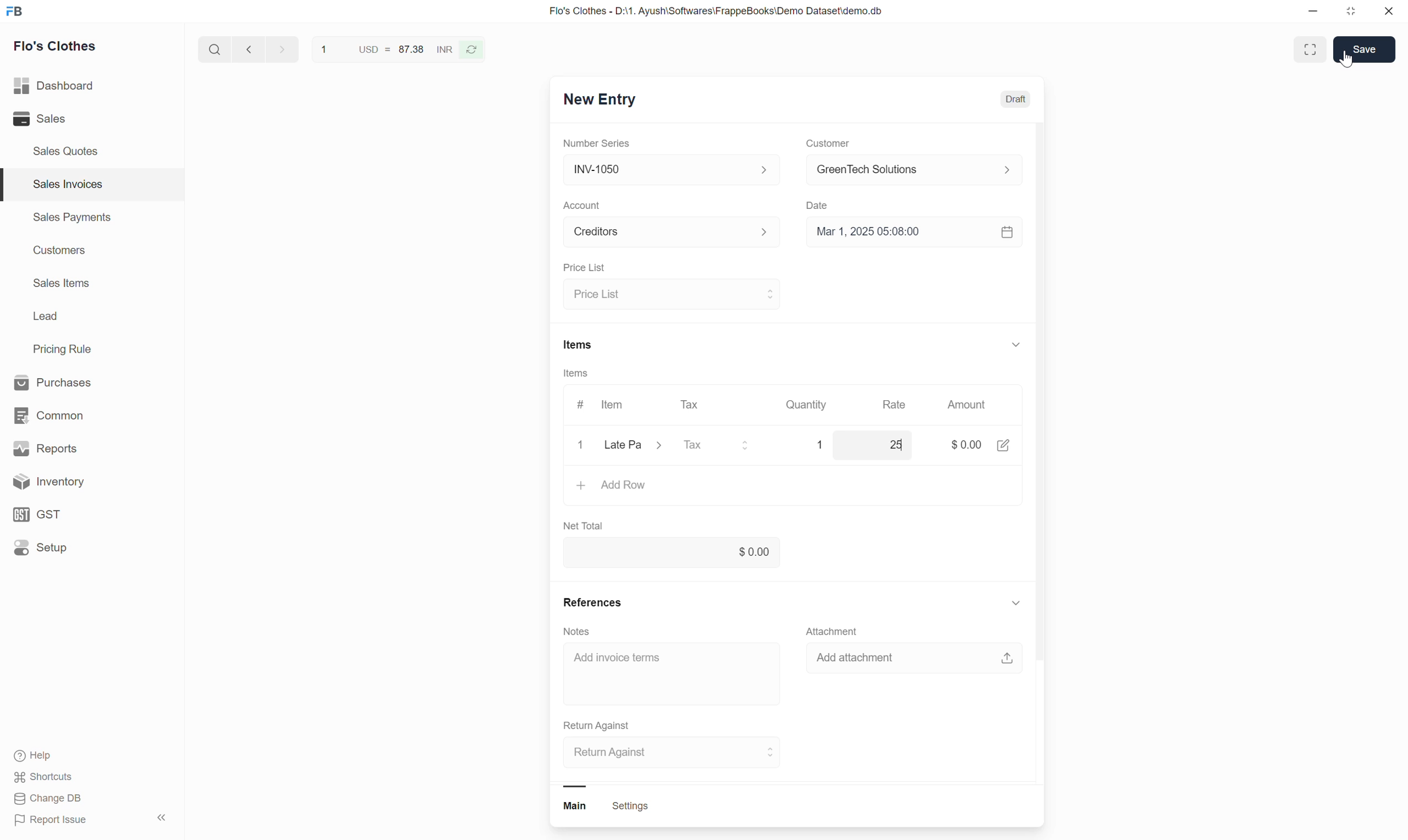 This screenshot has width=1408, height=840. Describe the element at coordinates (1006, 446) in the screenshot. I see `edit amount ` at that location.